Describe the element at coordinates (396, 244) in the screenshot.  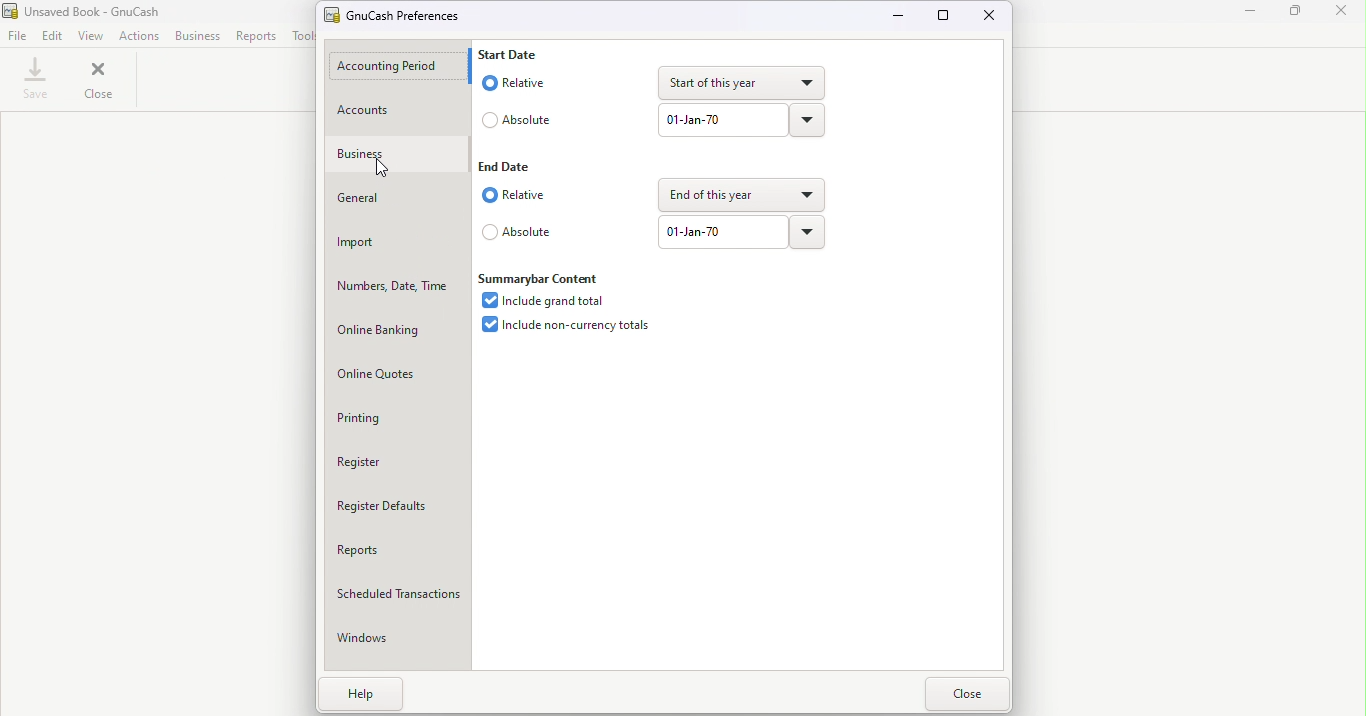
I see `Import` at that location.